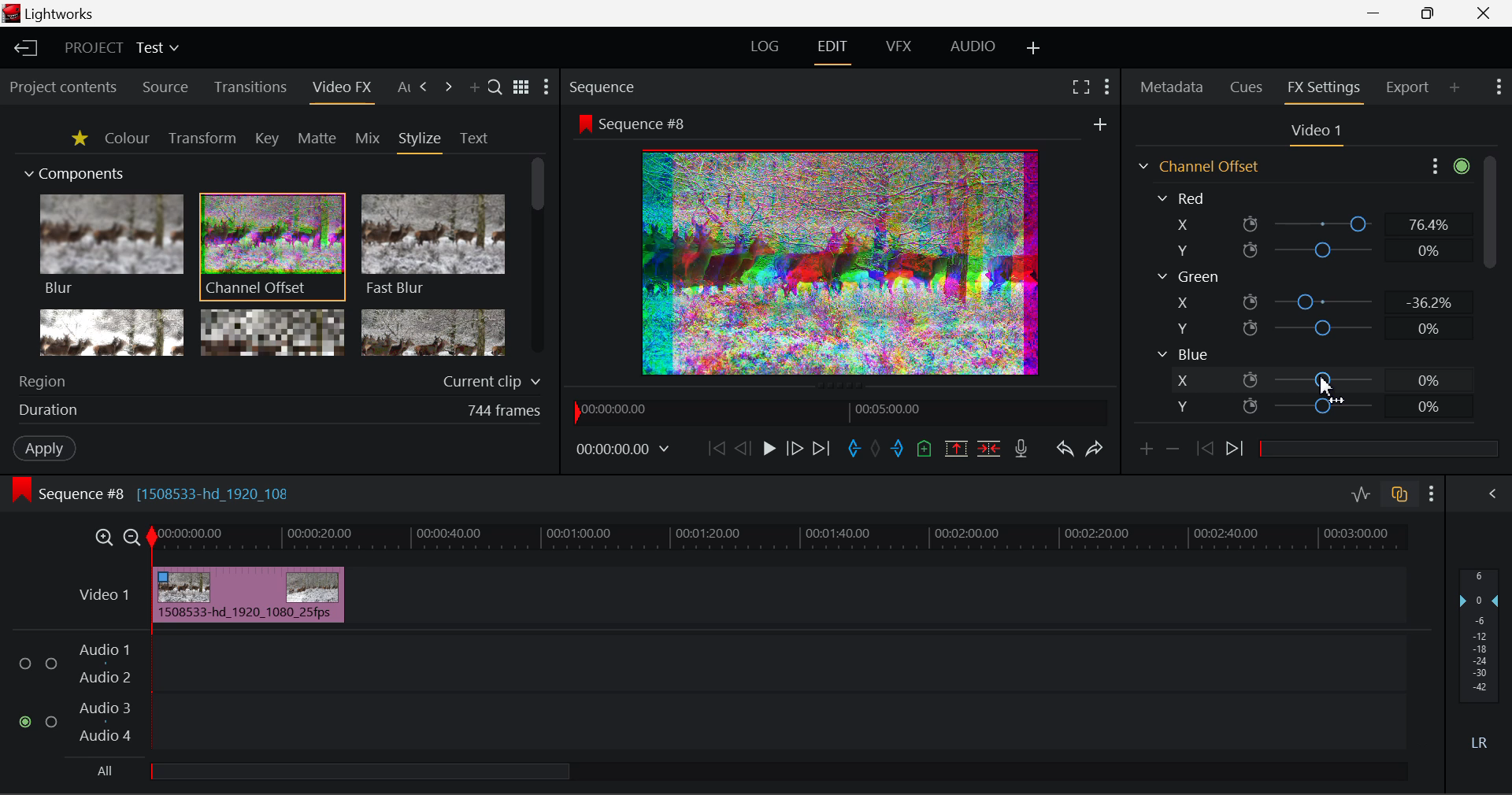  Describe the element at coordinates (1183, 355) in the screenshot. I see `Blue` at that location.